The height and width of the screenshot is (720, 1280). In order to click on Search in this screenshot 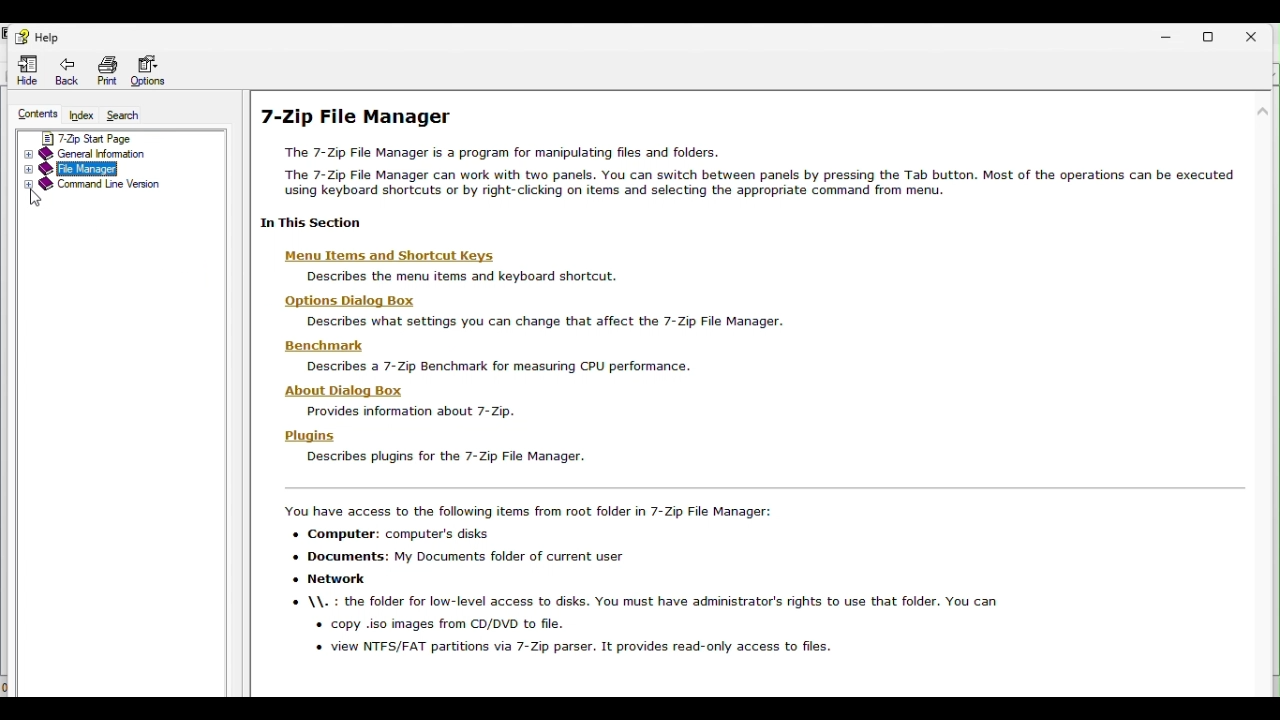, I will do `click(125, 115)`.